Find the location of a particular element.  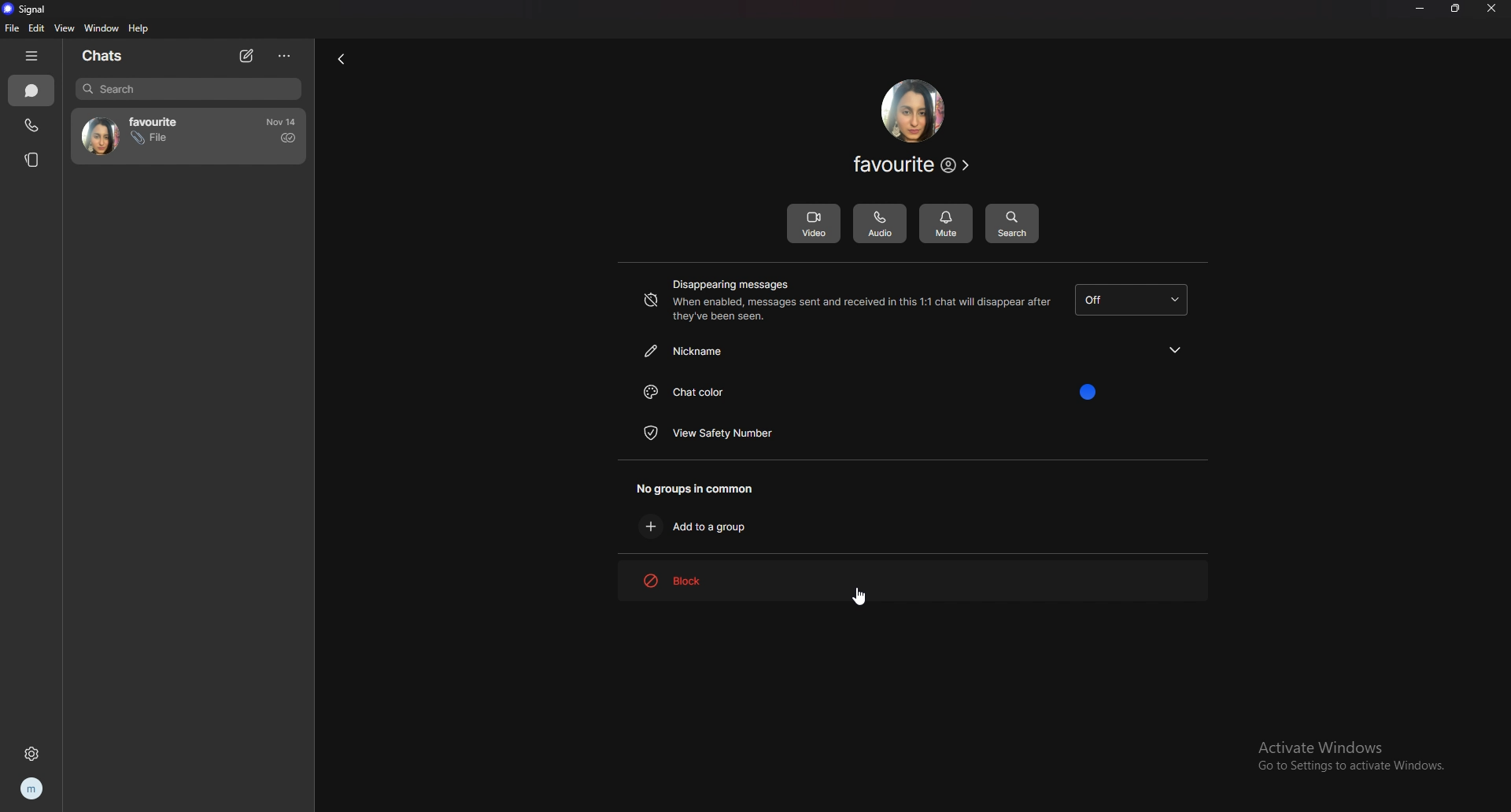

nickname is located at coordinates (912, 349).